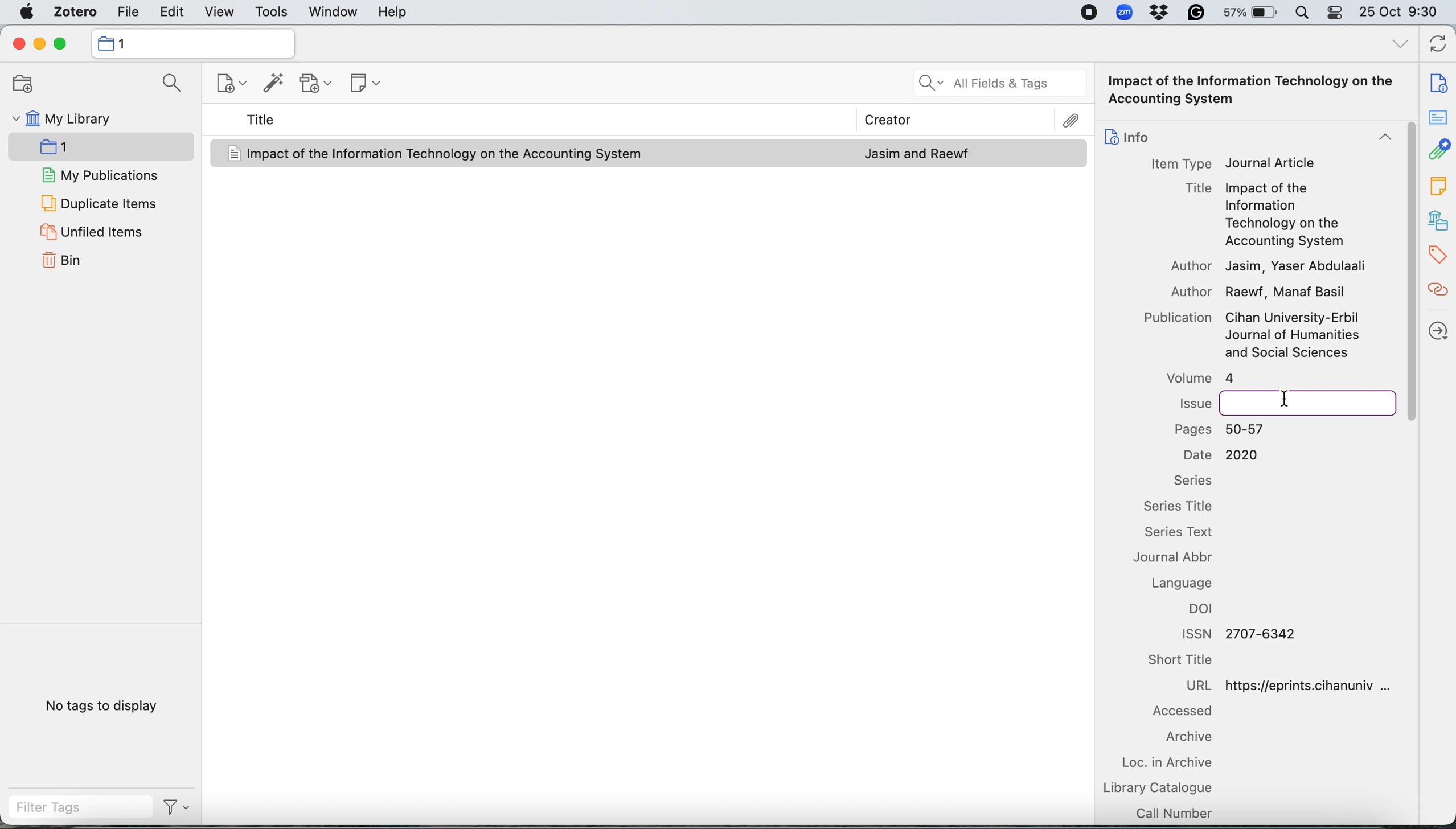 The width and height of the screenshot is (1456, 829). Describe the element at coordinates (77, 145) in the screenshot. I see `collection` at that location.